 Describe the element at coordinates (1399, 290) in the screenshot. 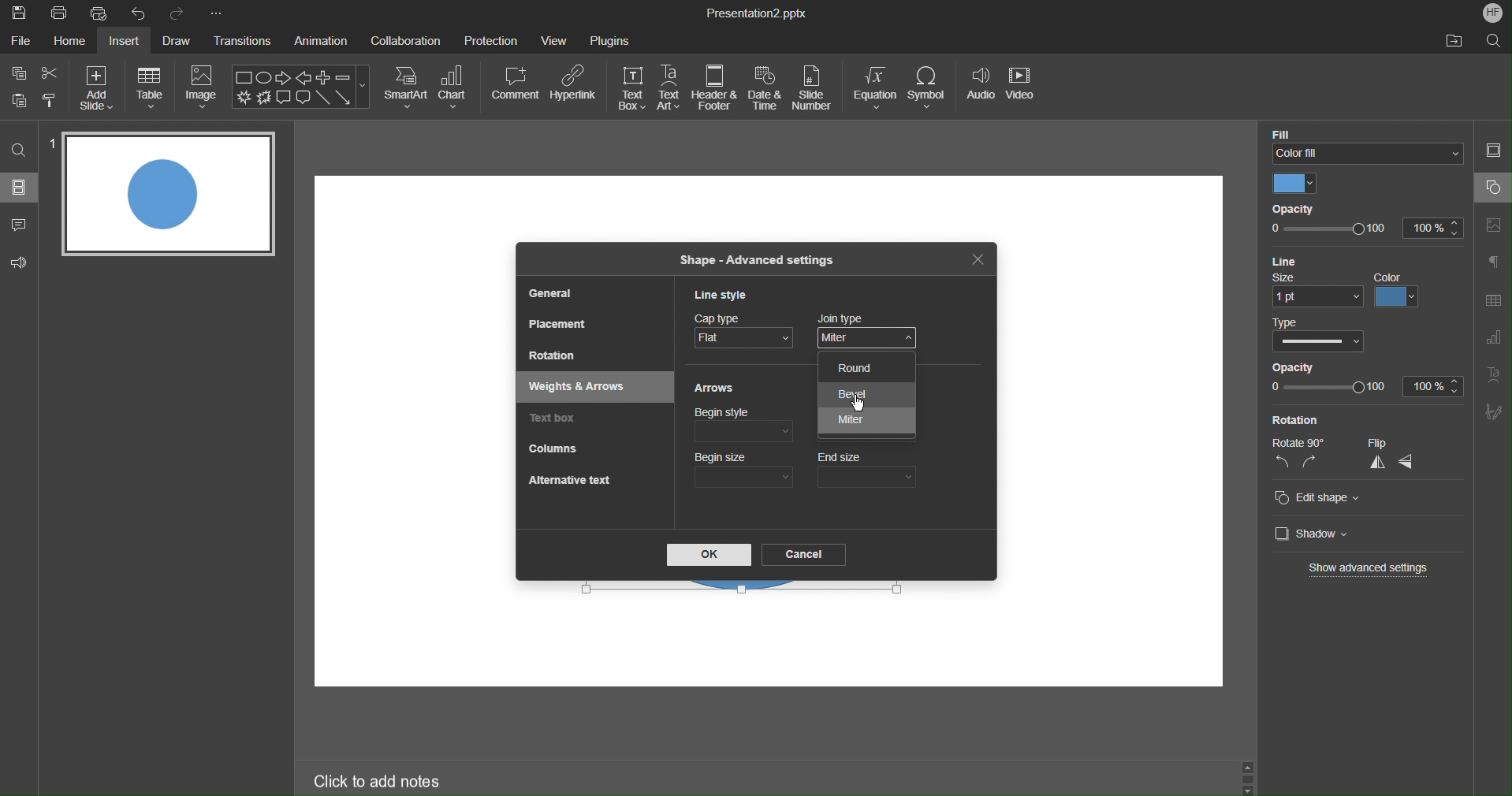

I see `color` at that location.